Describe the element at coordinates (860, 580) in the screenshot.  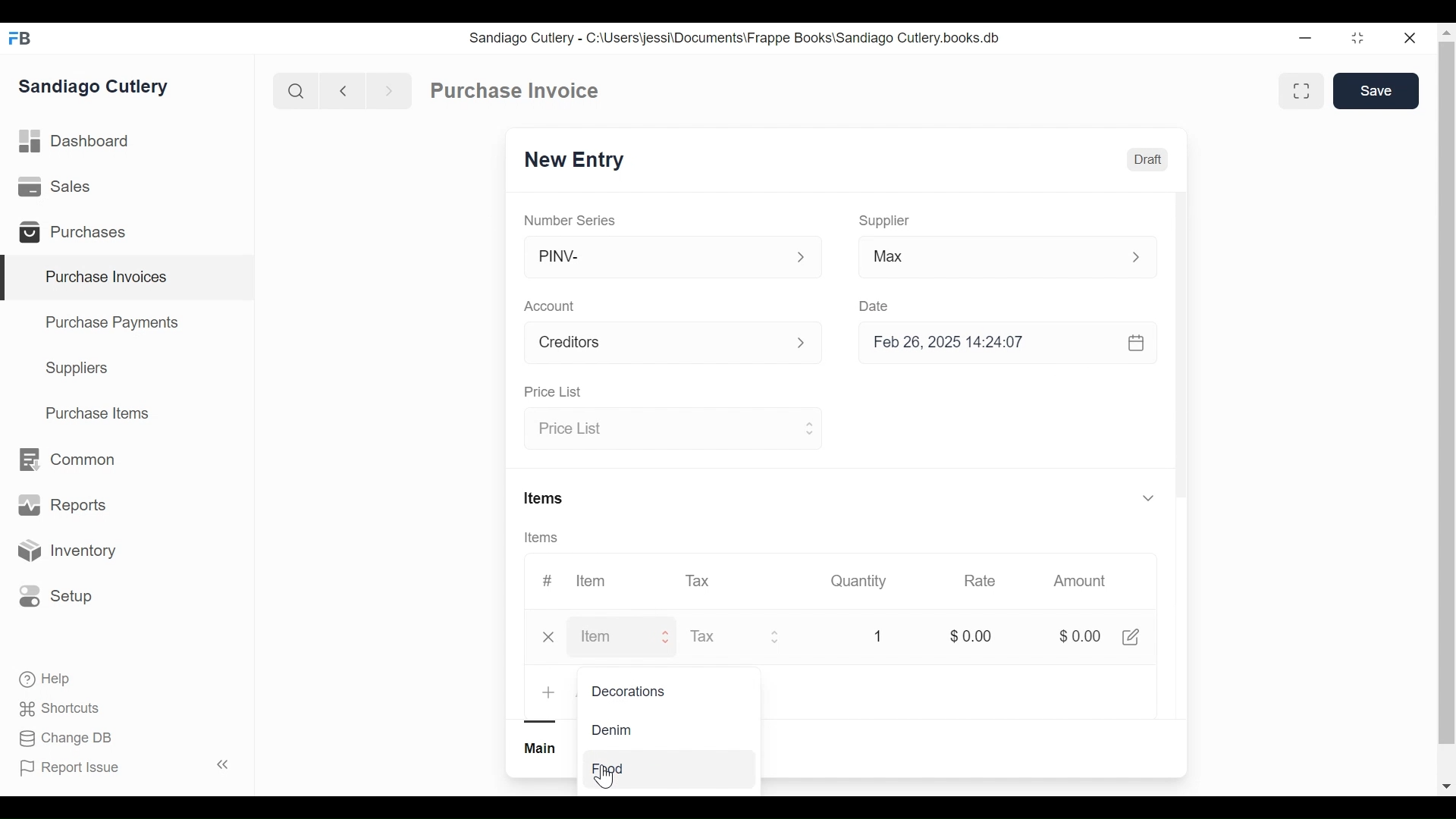
I see `Quantity` at that location.